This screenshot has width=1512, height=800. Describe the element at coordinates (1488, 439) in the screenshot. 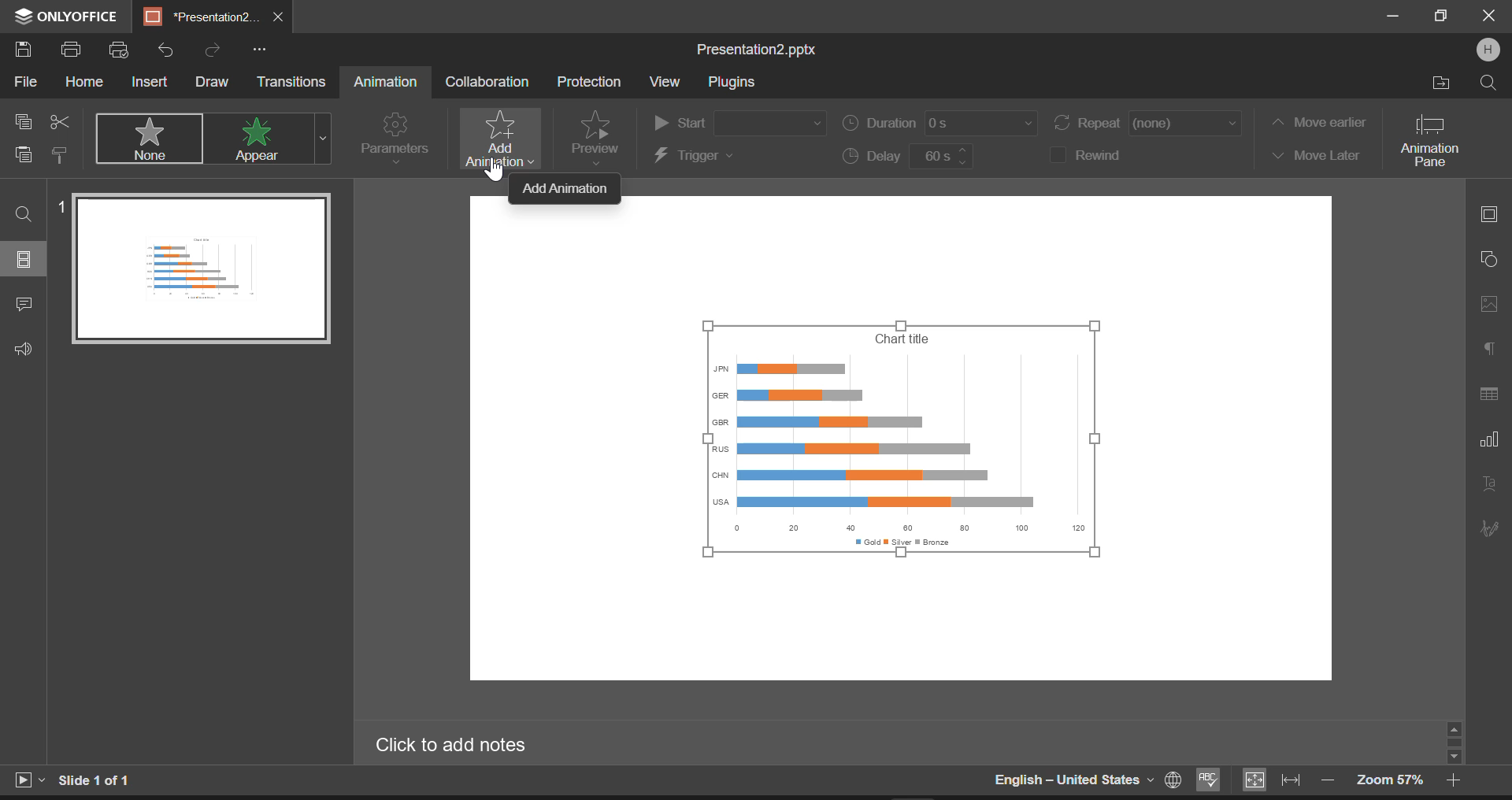

I see `Chart Settings` at that location.